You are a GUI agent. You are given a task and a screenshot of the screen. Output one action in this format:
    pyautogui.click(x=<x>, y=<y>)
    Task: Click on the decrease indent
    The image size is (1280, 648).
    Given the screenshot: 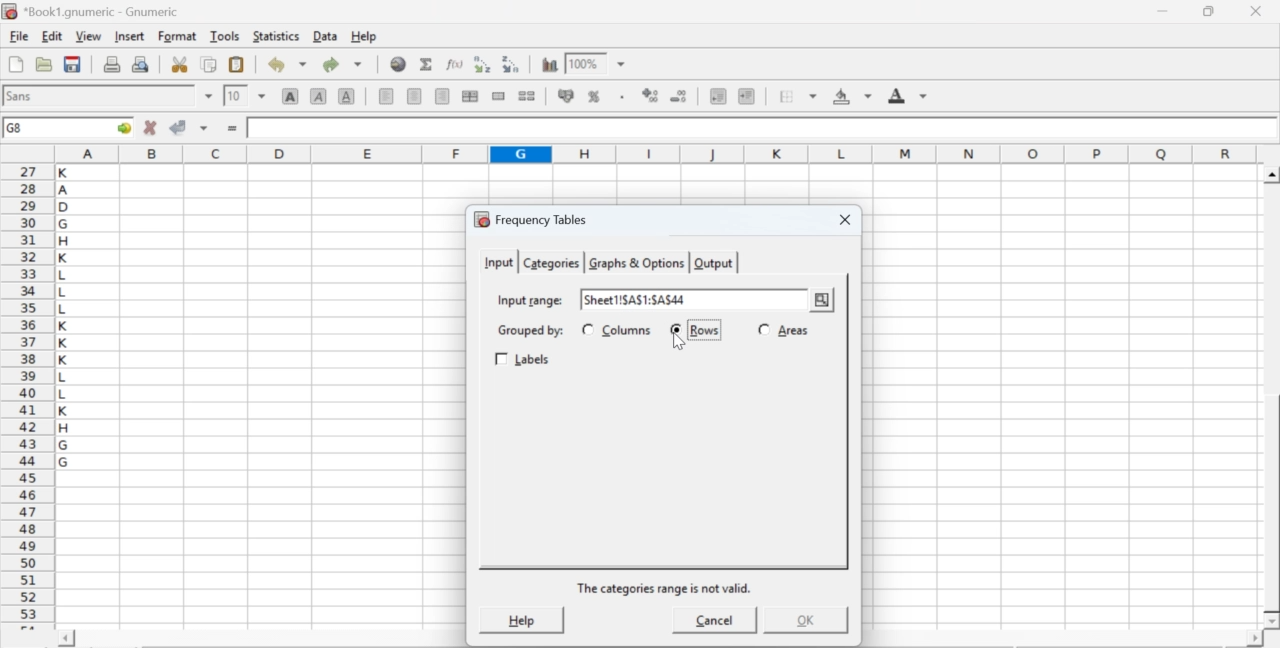 What is the action you would take?
    pyautogui.click(x=718, y=95)
    